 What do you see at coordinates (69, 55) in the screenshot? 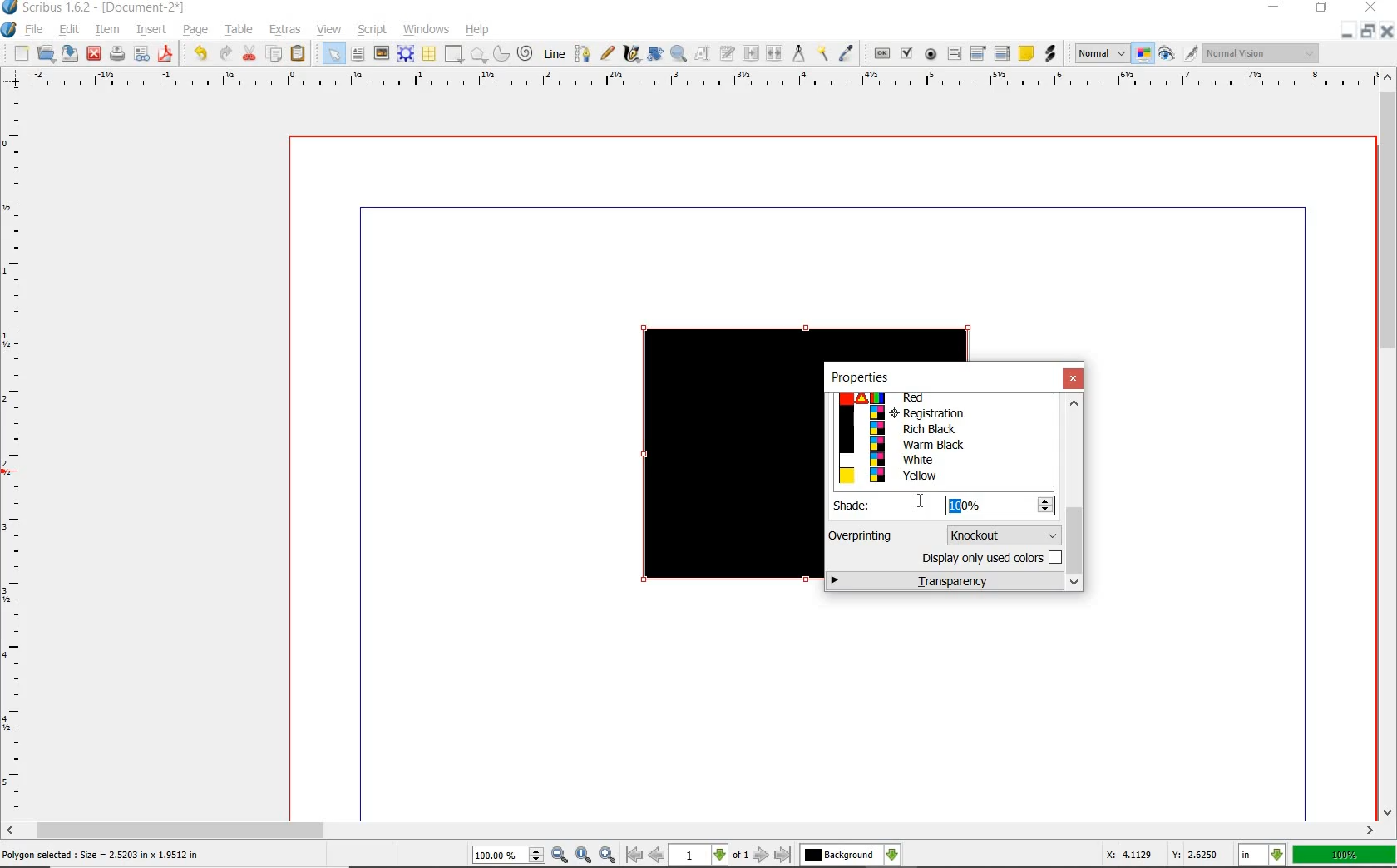
I see `save` at bounding box center [69, 55].